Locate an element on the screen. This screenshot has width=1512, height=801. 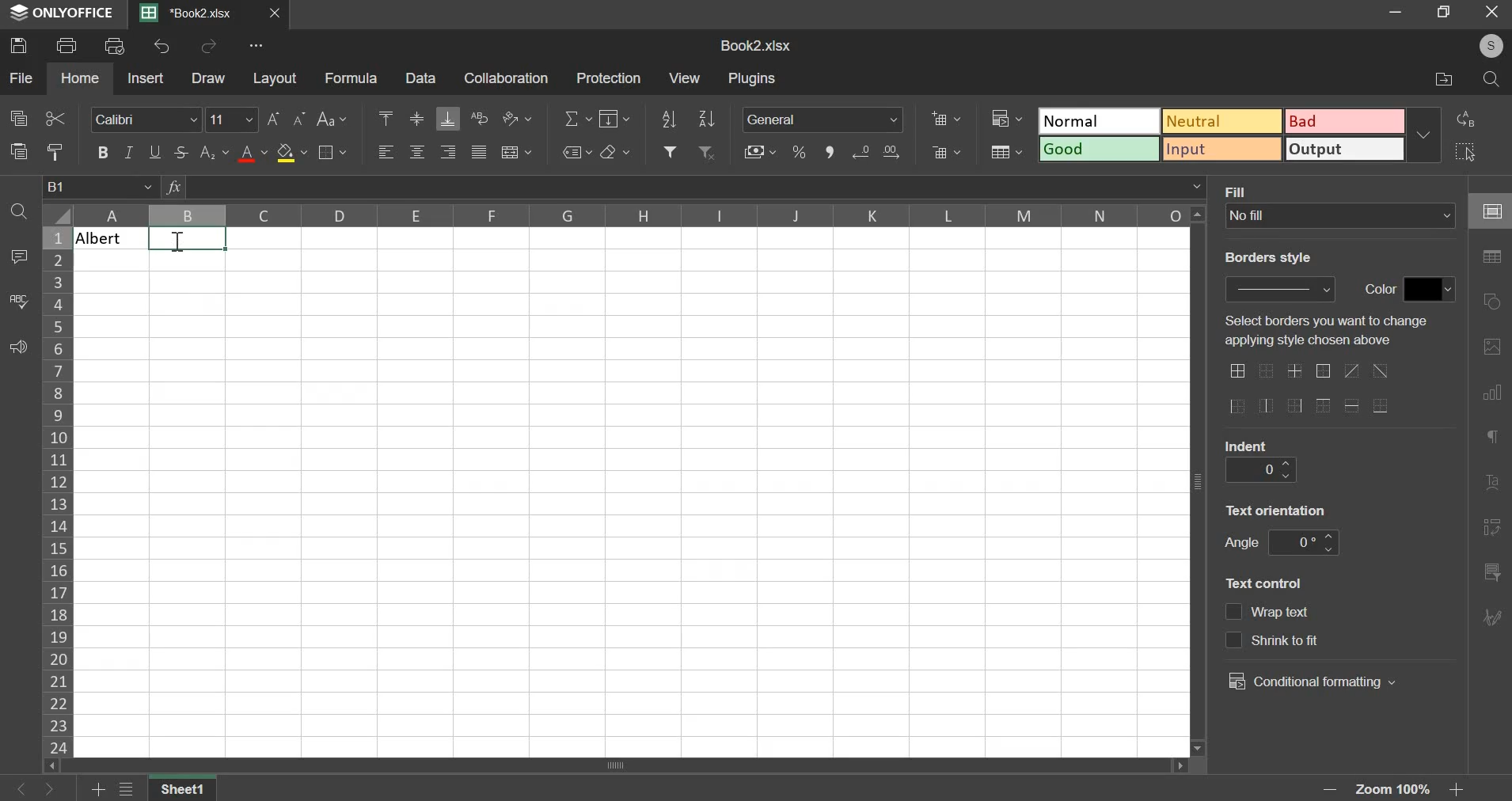
spelling is located at coordinates (18, 300).